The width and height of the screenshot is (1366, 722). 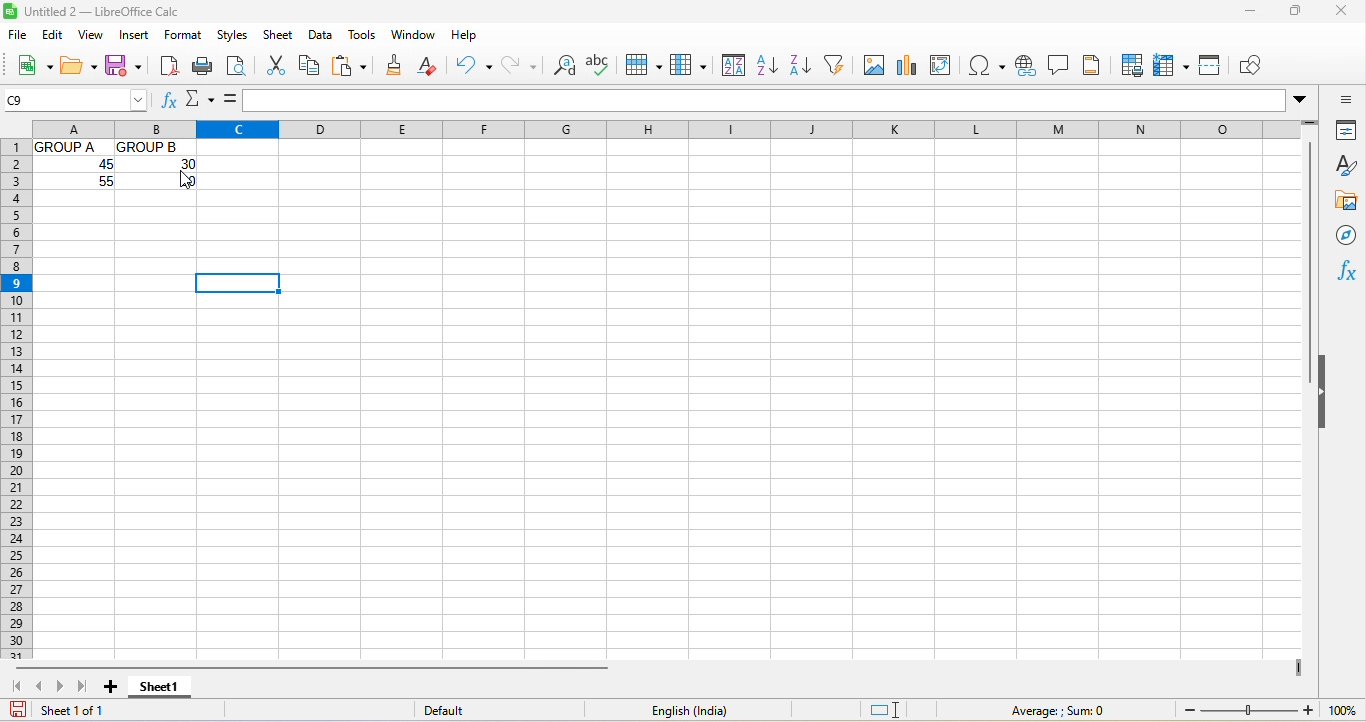 I want to click on zoom, so click(x=1245, y=711).